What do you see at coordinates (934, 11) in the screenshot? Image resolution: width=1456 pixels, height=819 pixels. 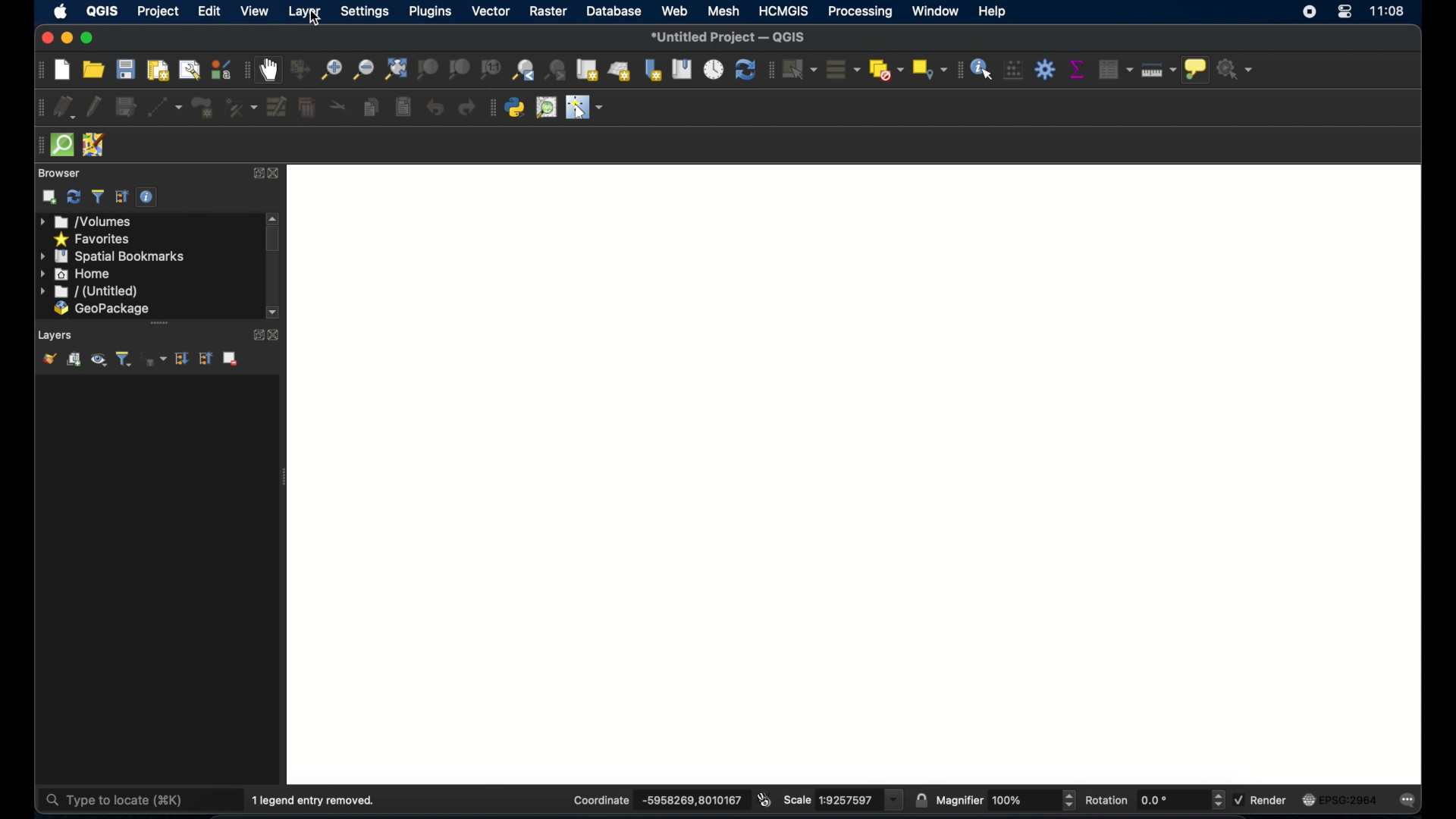 I see `window` at bounding box center [934, 11].